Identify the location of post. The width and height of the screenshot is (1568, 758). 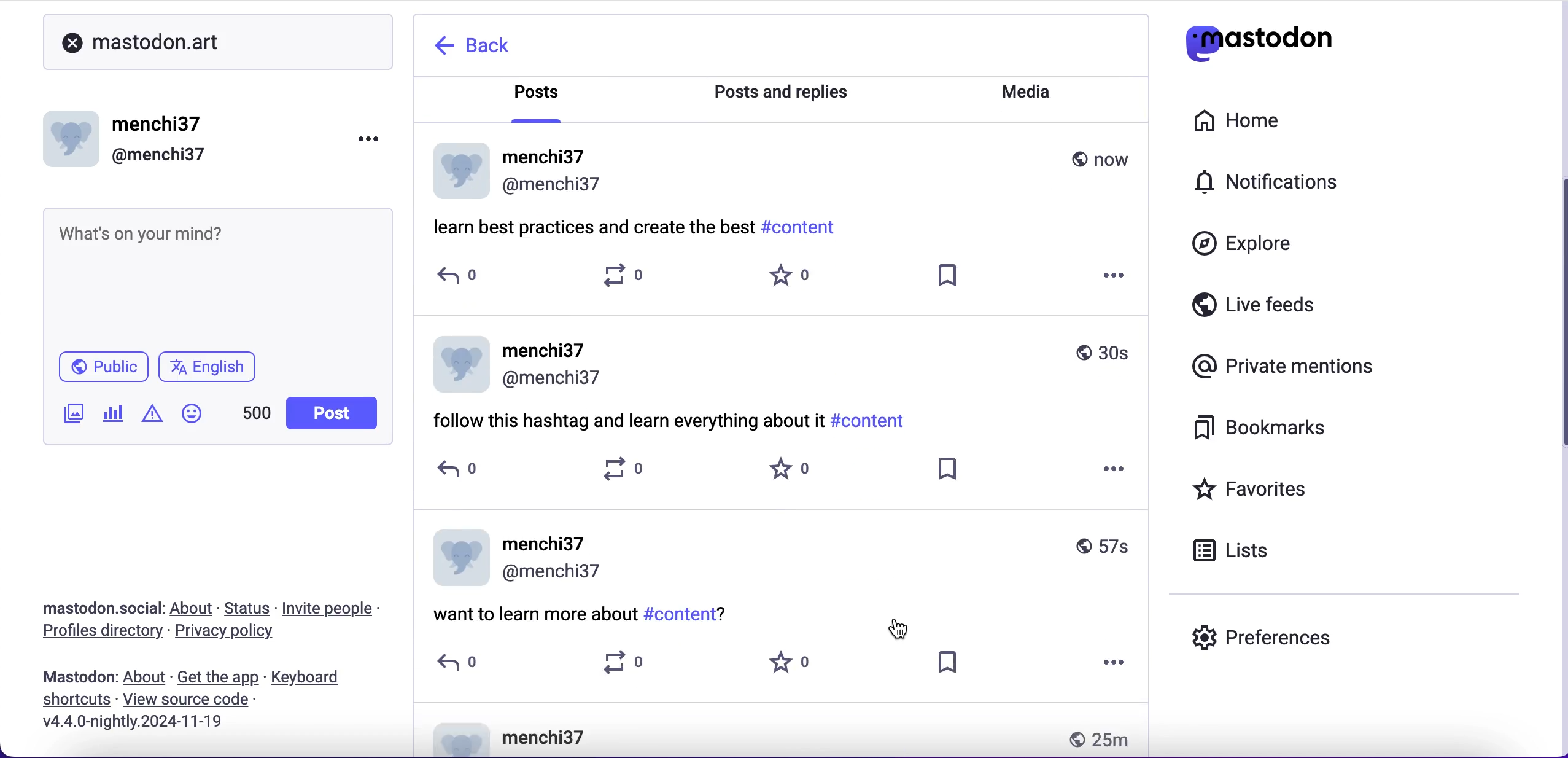
(330, 413).